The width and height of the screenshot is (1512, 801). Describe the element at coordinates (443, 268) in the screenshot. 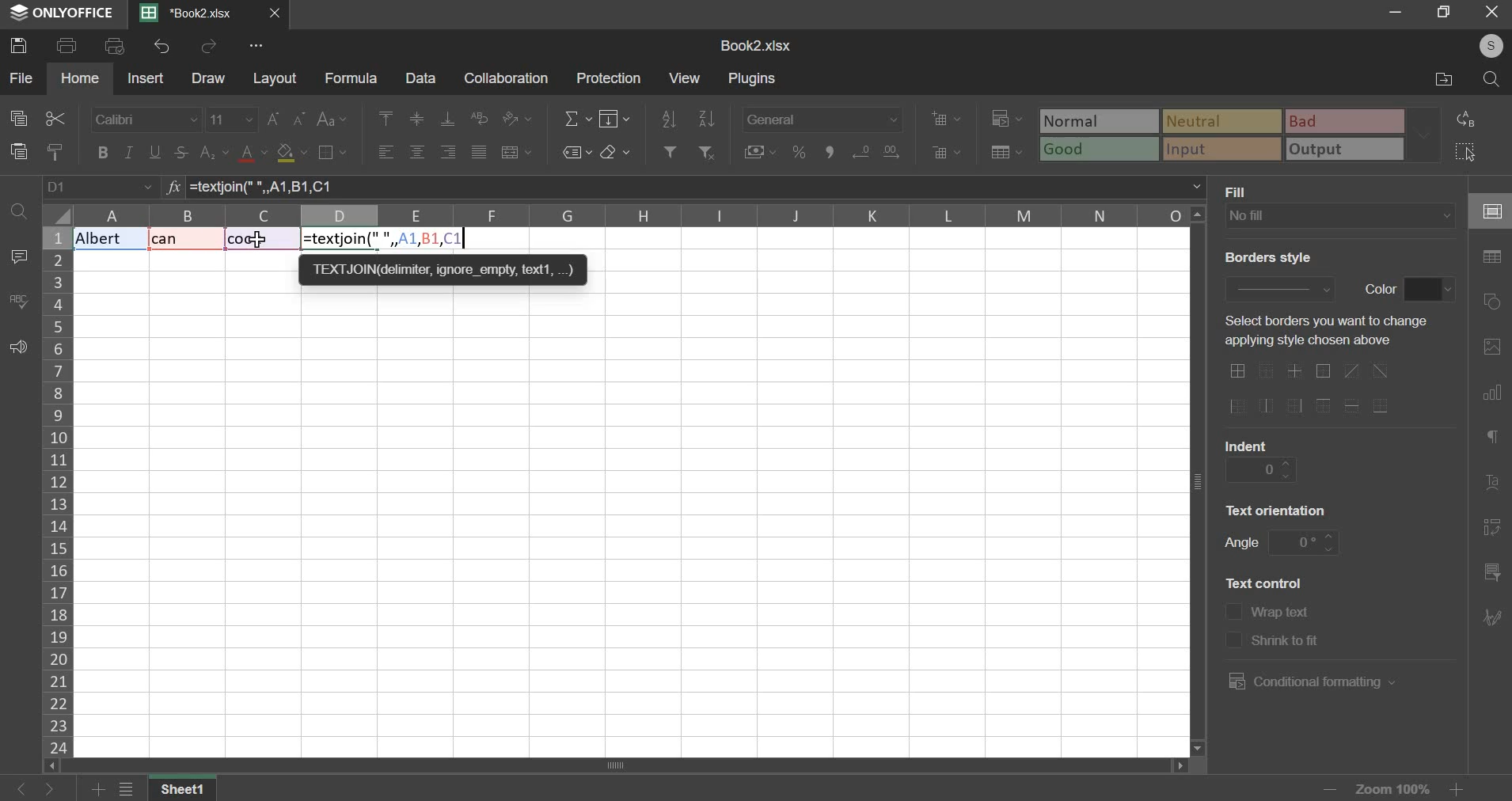

I see `TEXTJON deter, ignore empty text,` at that location.